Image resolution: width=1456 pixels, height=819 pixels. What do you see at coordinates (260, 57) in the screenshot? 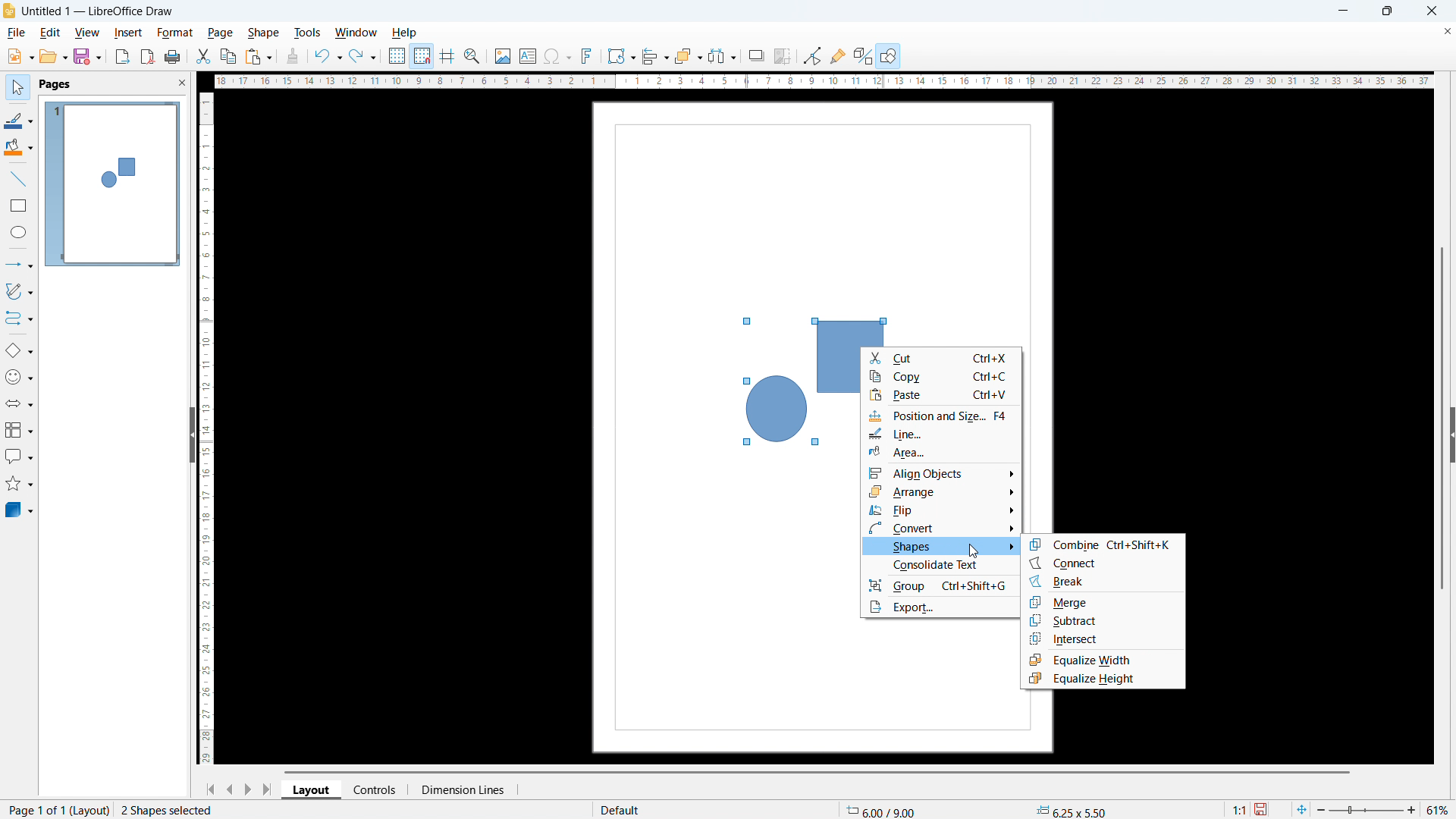
I see `paste` at bounding box center [260, 57].